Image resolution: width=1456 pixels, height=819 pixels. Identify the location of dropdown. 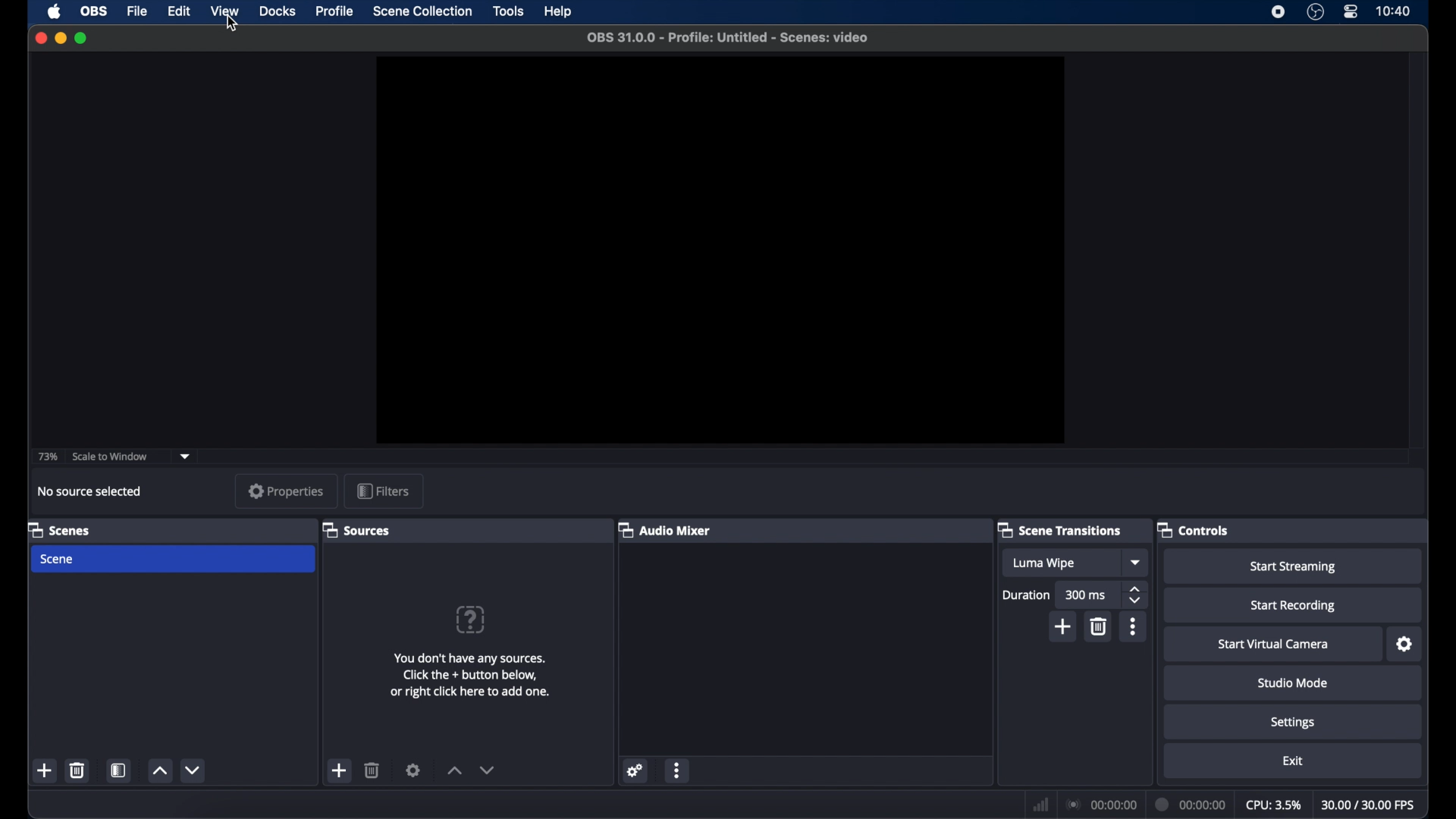
(1137, 563).